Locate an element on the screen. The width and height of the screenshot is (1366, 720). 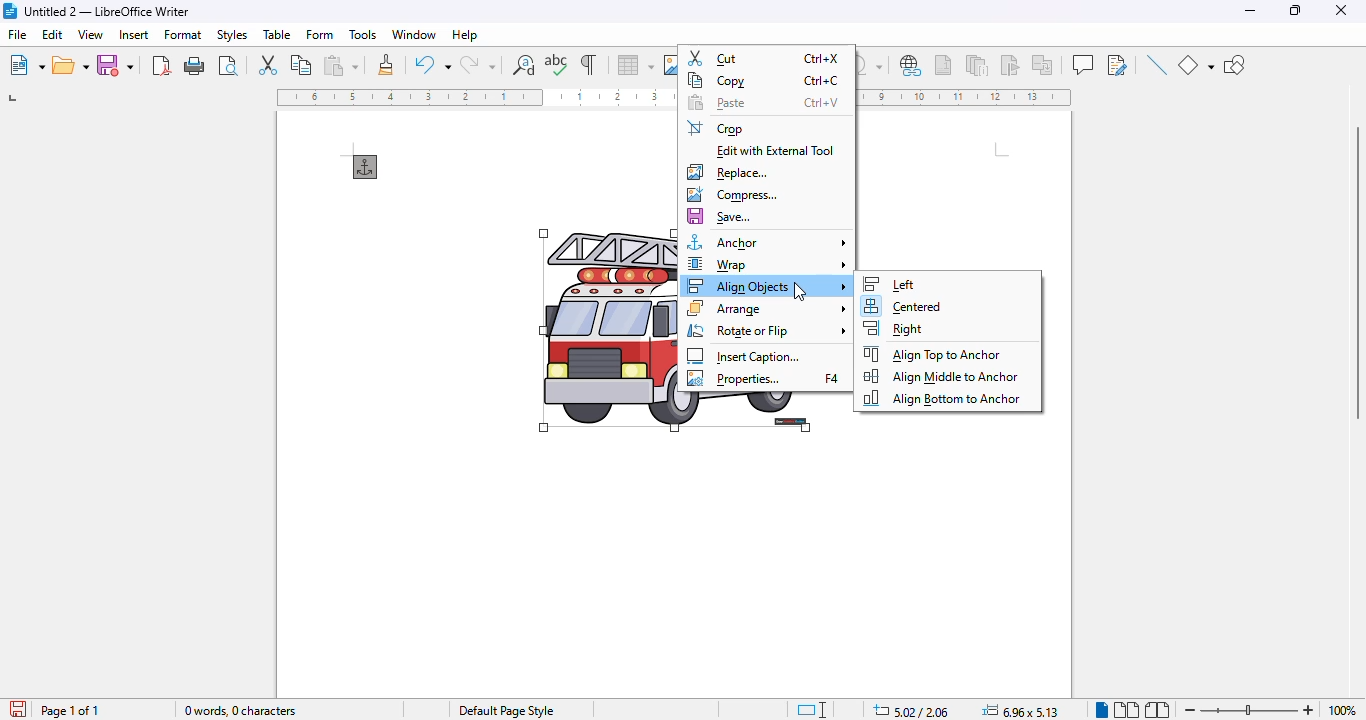
file is located at coordinates (18, 33).